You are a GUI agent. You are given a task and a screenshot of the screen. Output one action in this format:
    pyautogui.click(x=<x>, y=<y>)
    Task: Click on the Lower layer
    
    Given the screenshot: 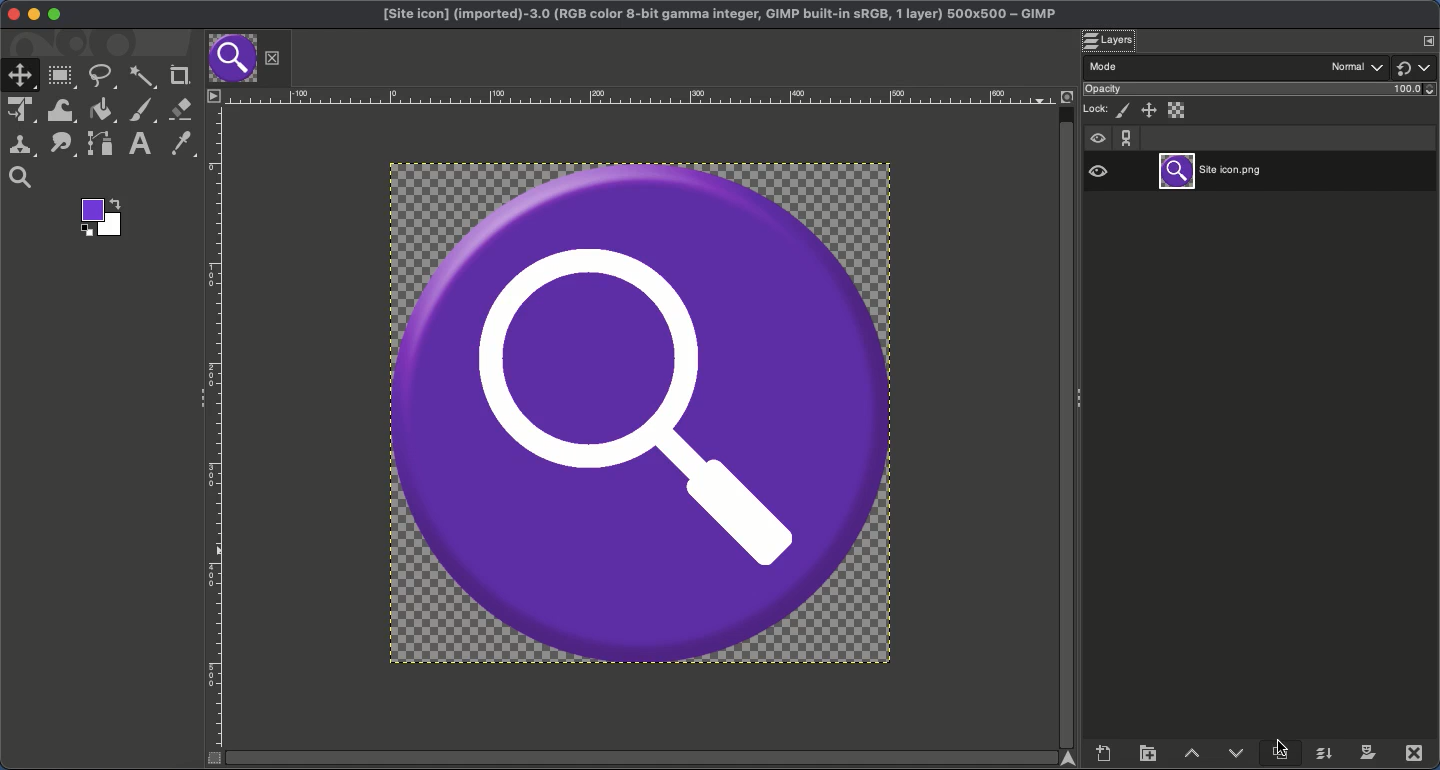 What is the action you would take?
    pyautogui.click(x=1238, y=749)
    